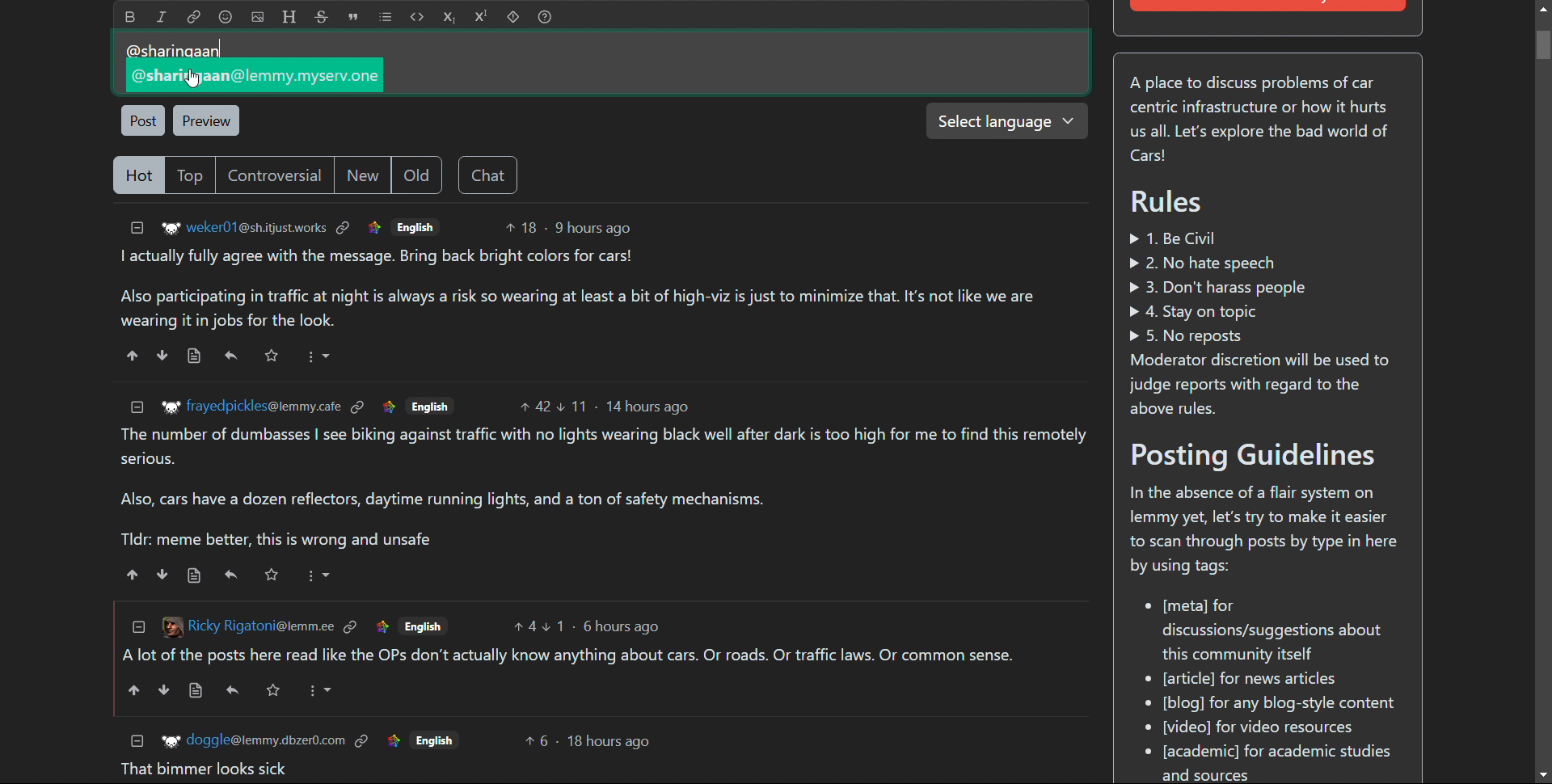  I want to click on 6 hours ago, so click(623, 626).